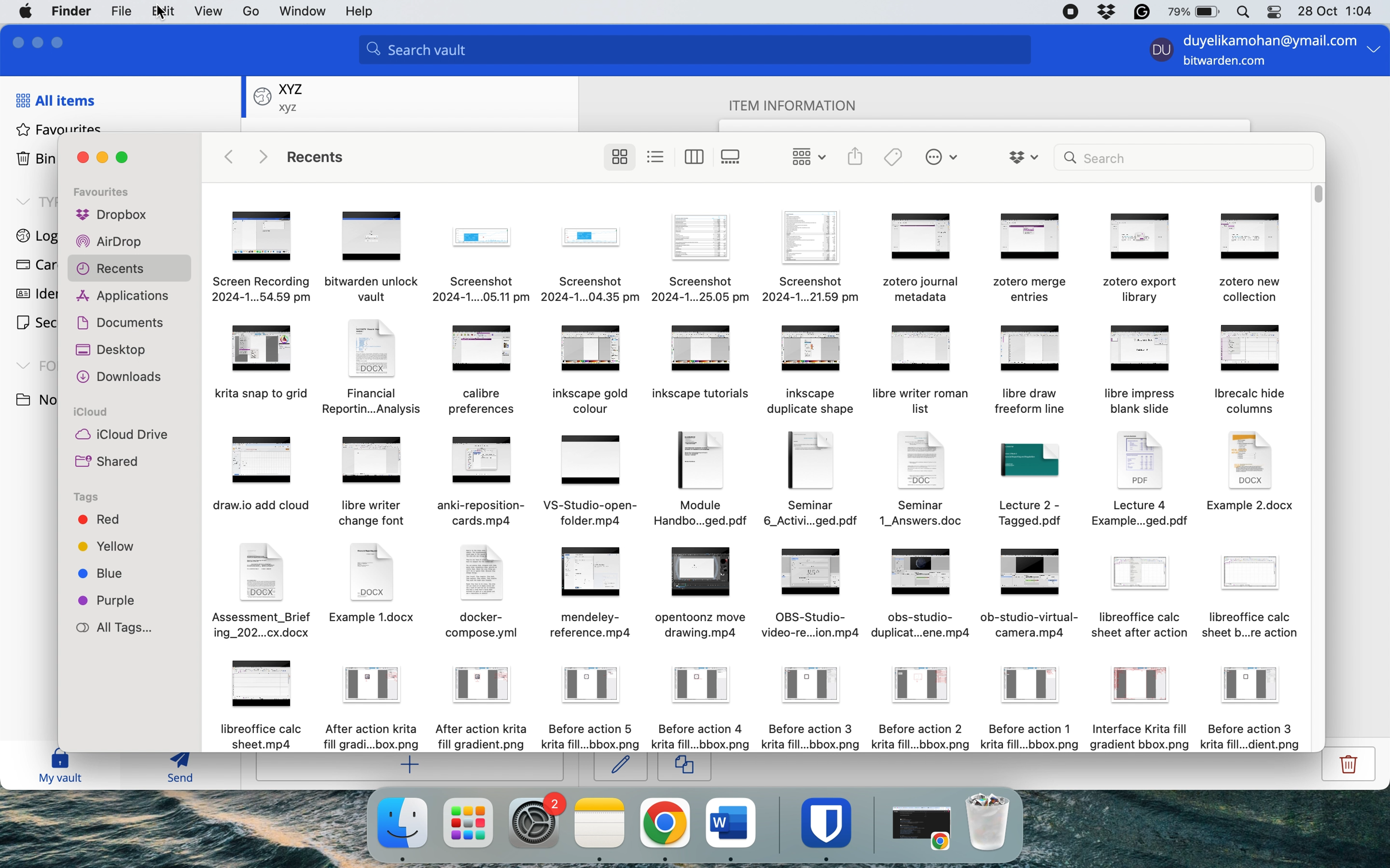 The image size is (1390, 868). I want to click on delete, so click(1345, 769).